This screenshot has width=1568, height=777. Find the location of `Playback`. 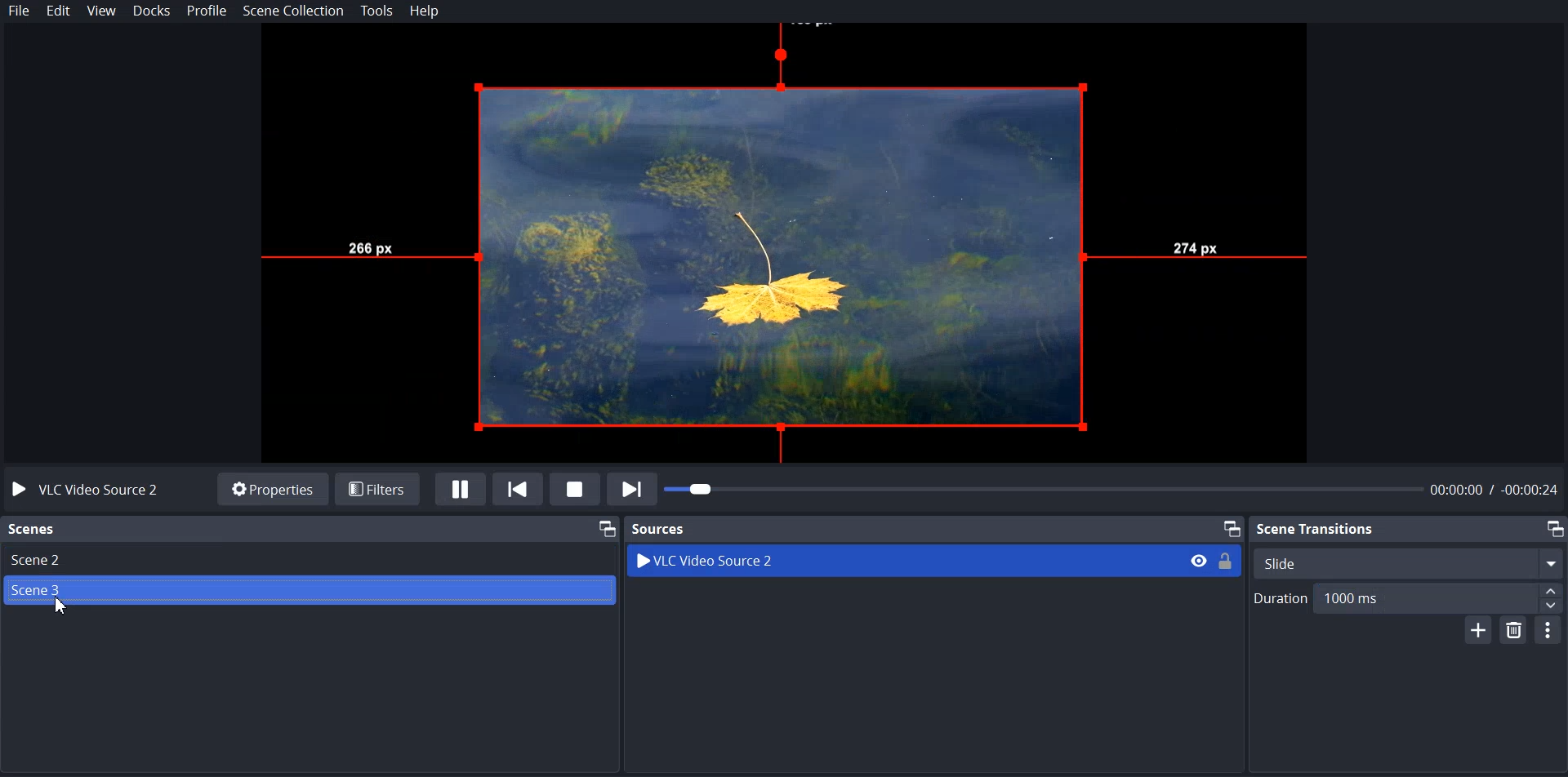

Playback is located at coordinates (1114, 488).